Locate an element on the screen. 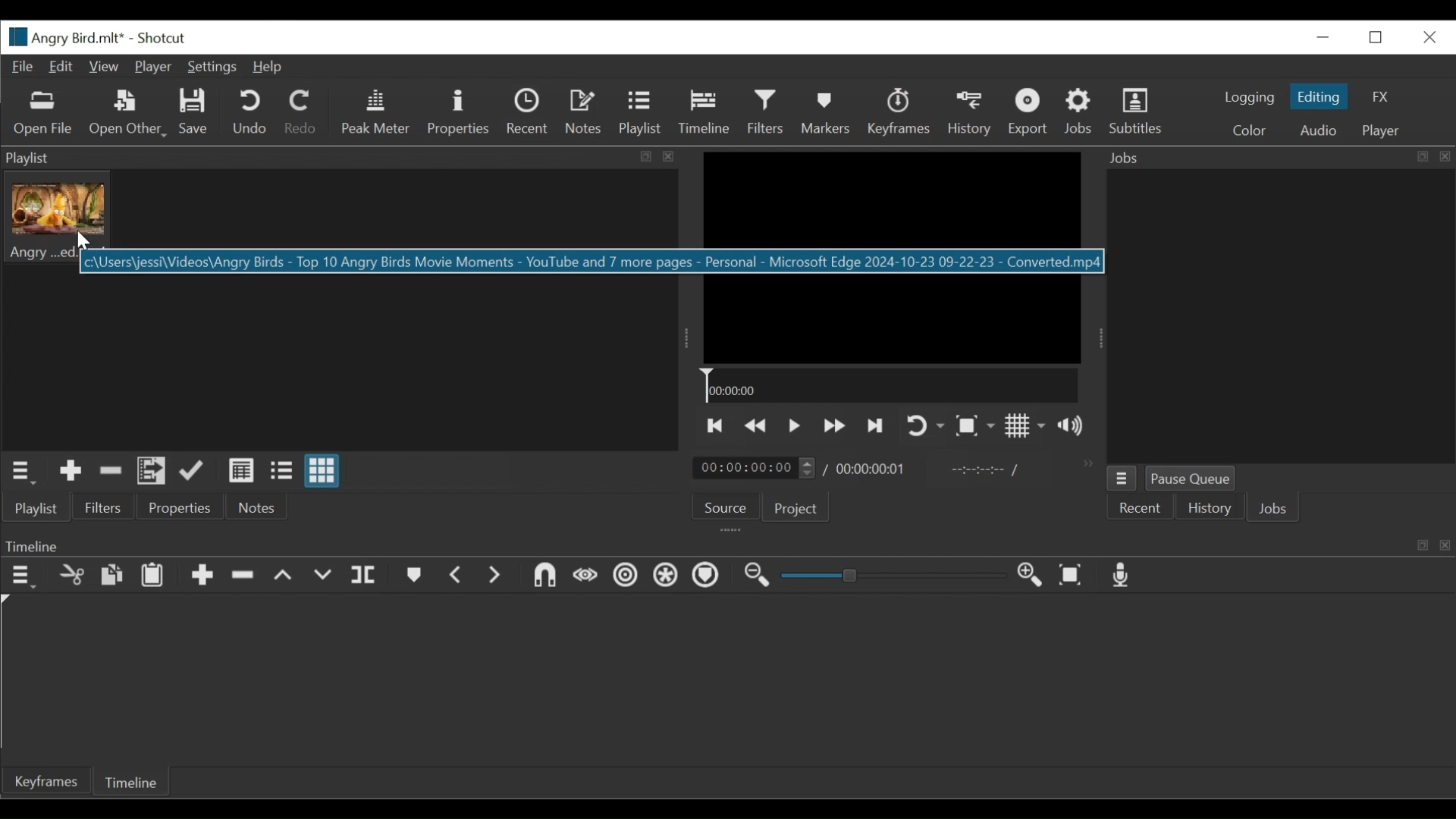  bookmark is located at coordinates (414, 577).